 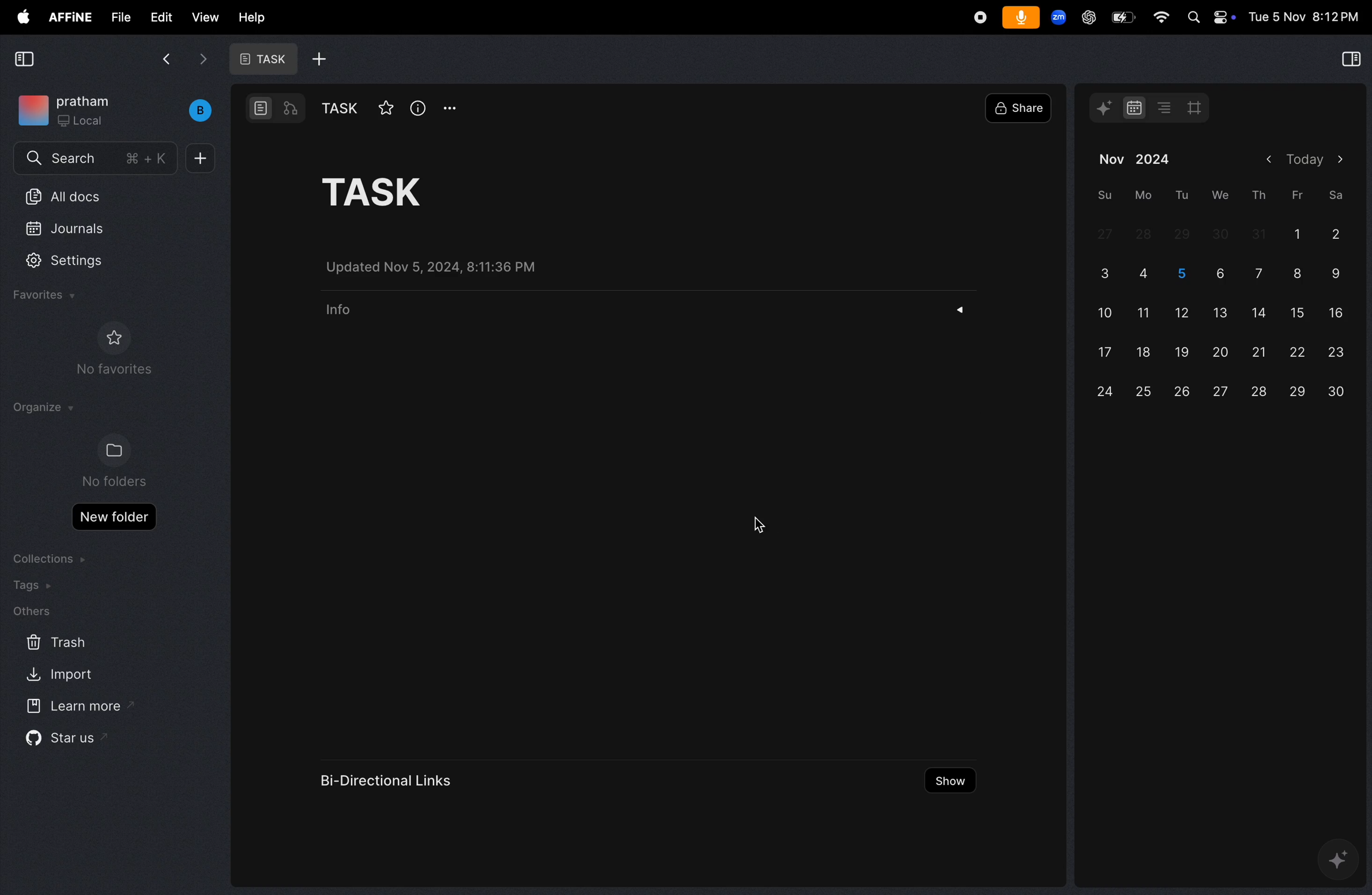 What do you see at coordinates (338, 315) in the screenshot?
I see `info` at bounding box center [338, 315].